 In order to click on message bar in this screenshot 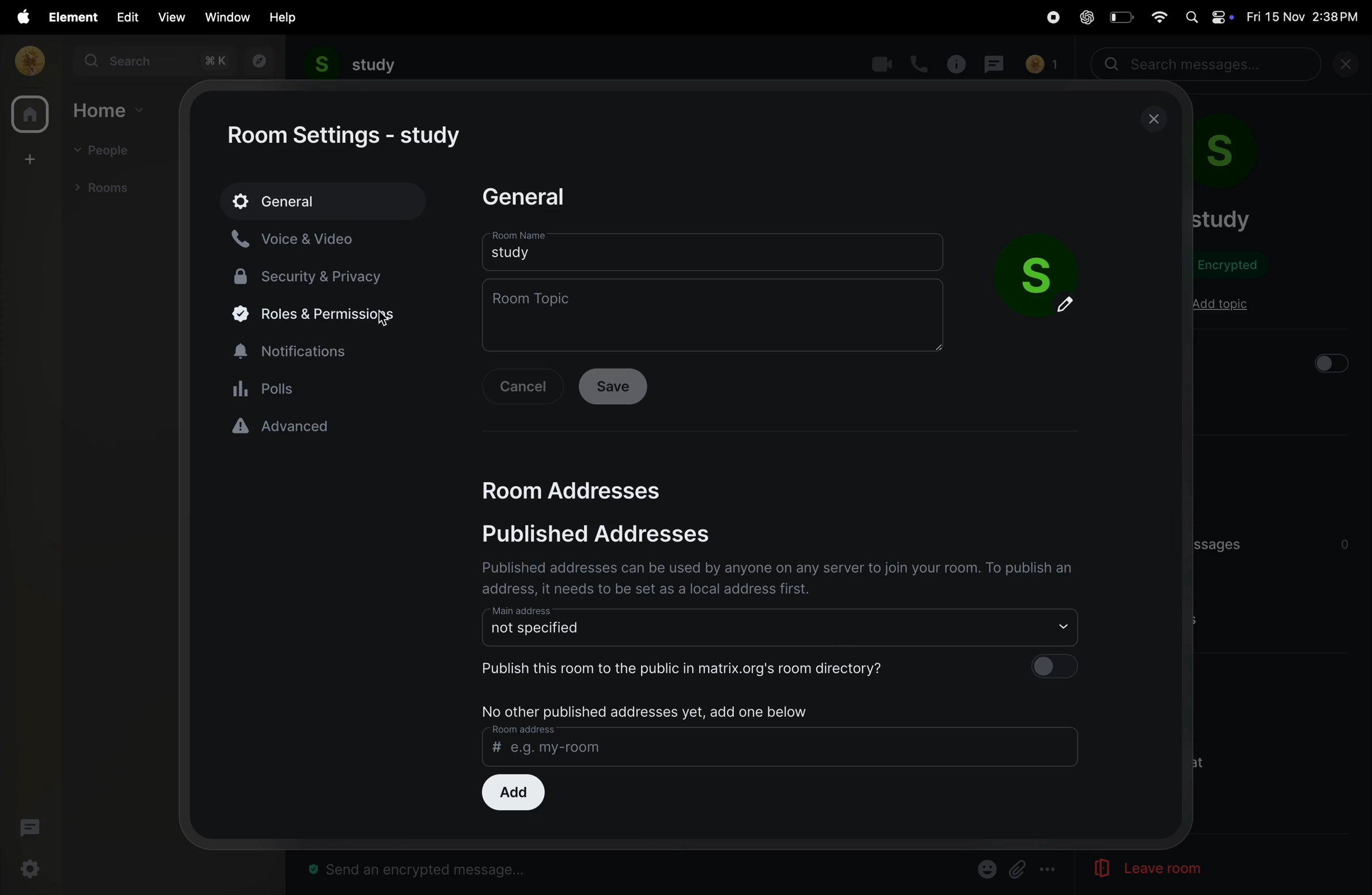, I will do `click(423, 871)`.